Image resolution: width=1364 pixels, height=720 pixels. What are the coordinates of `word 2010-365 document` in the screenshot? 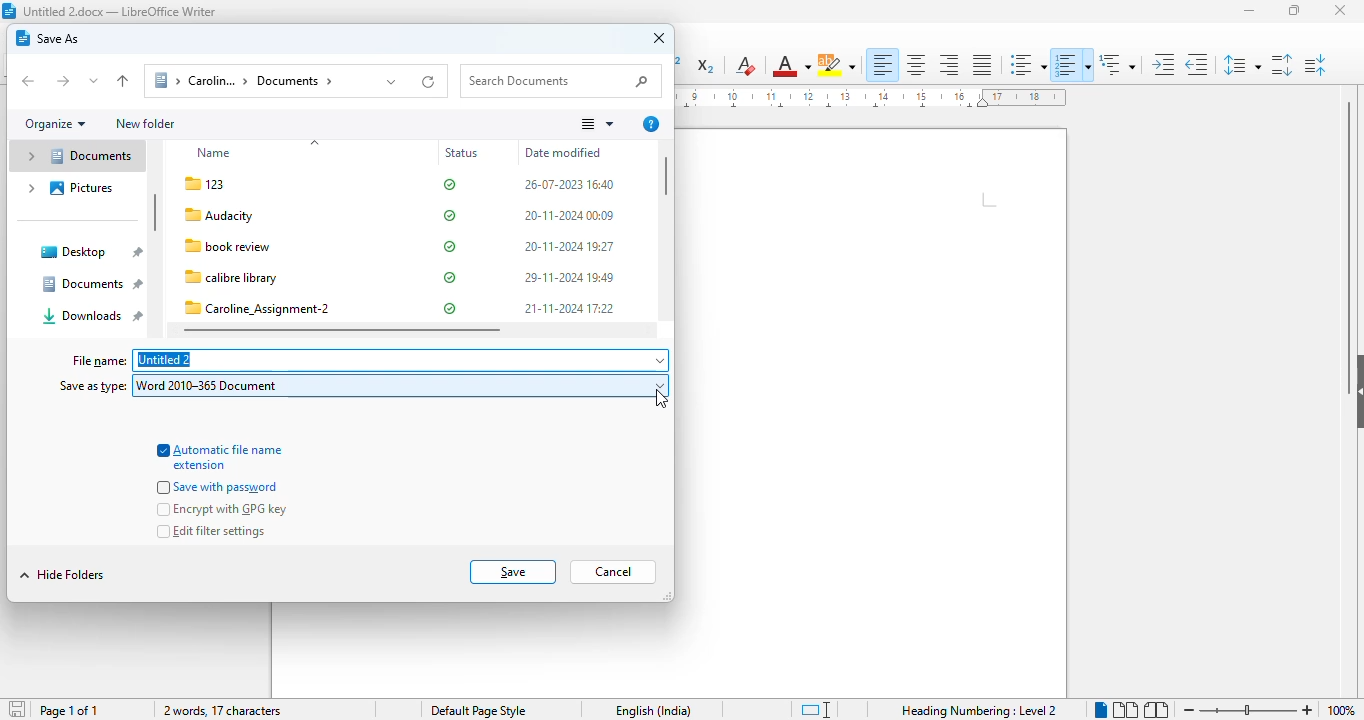 It's located at (401, 386).